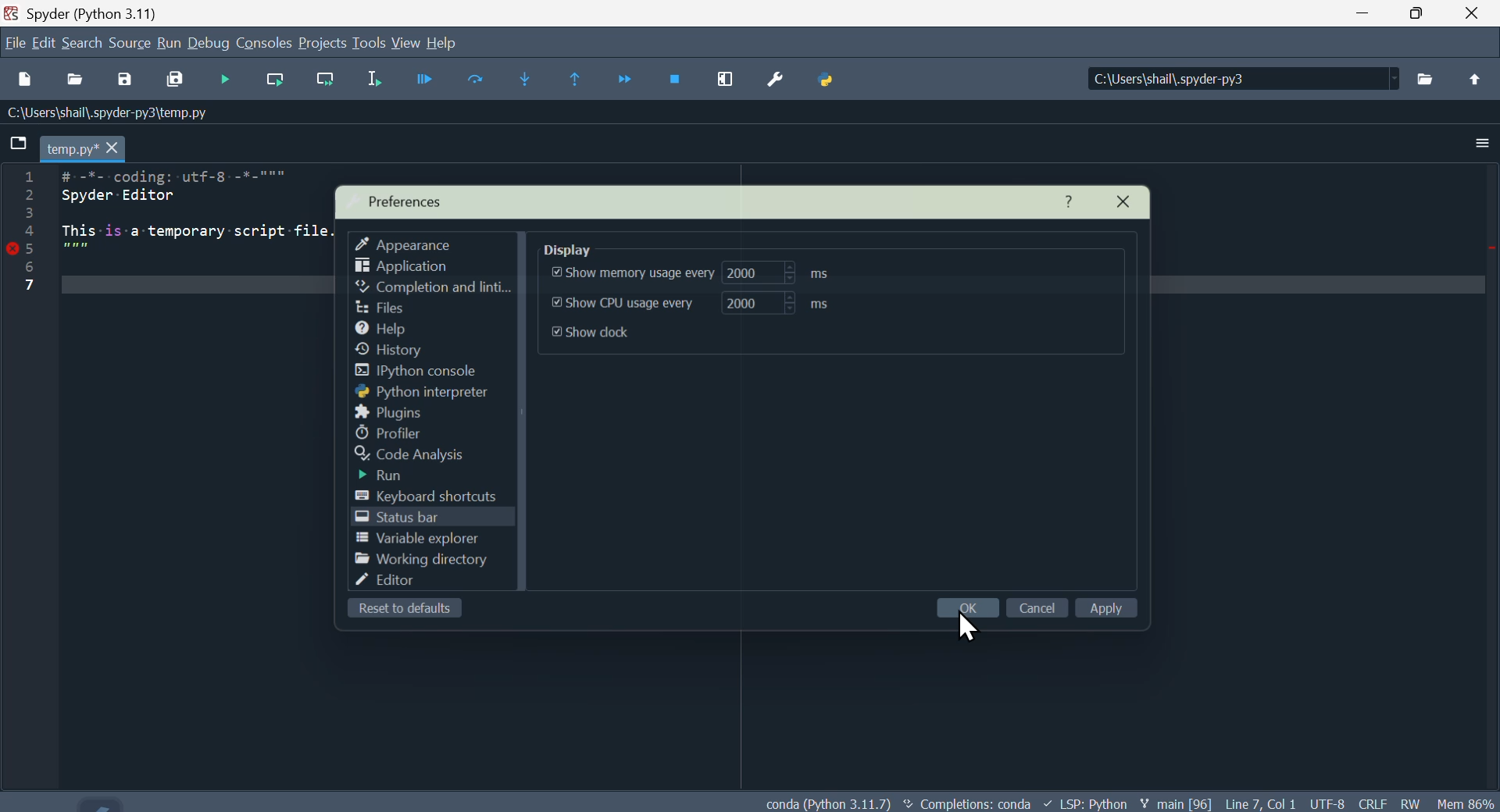 The image size is (1500, 812). Describe the element at coordinates (409, 241) in the screenshot. I see `Appearance` at that location.